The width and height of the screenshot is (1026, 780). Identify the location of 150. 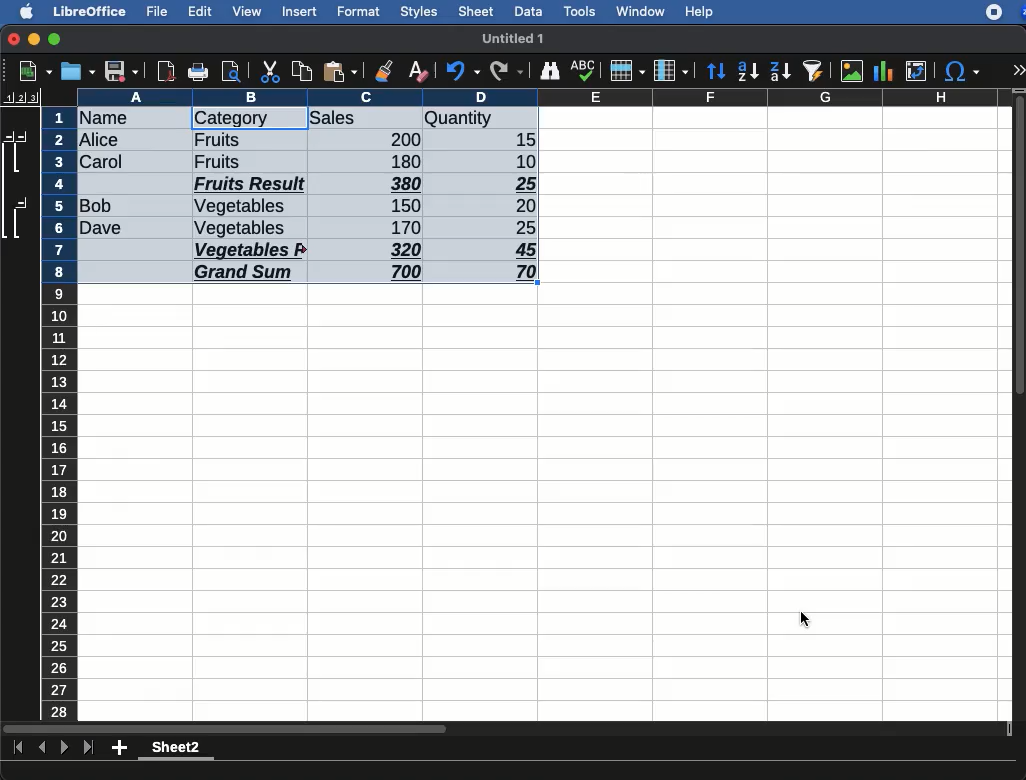
(407, 205).